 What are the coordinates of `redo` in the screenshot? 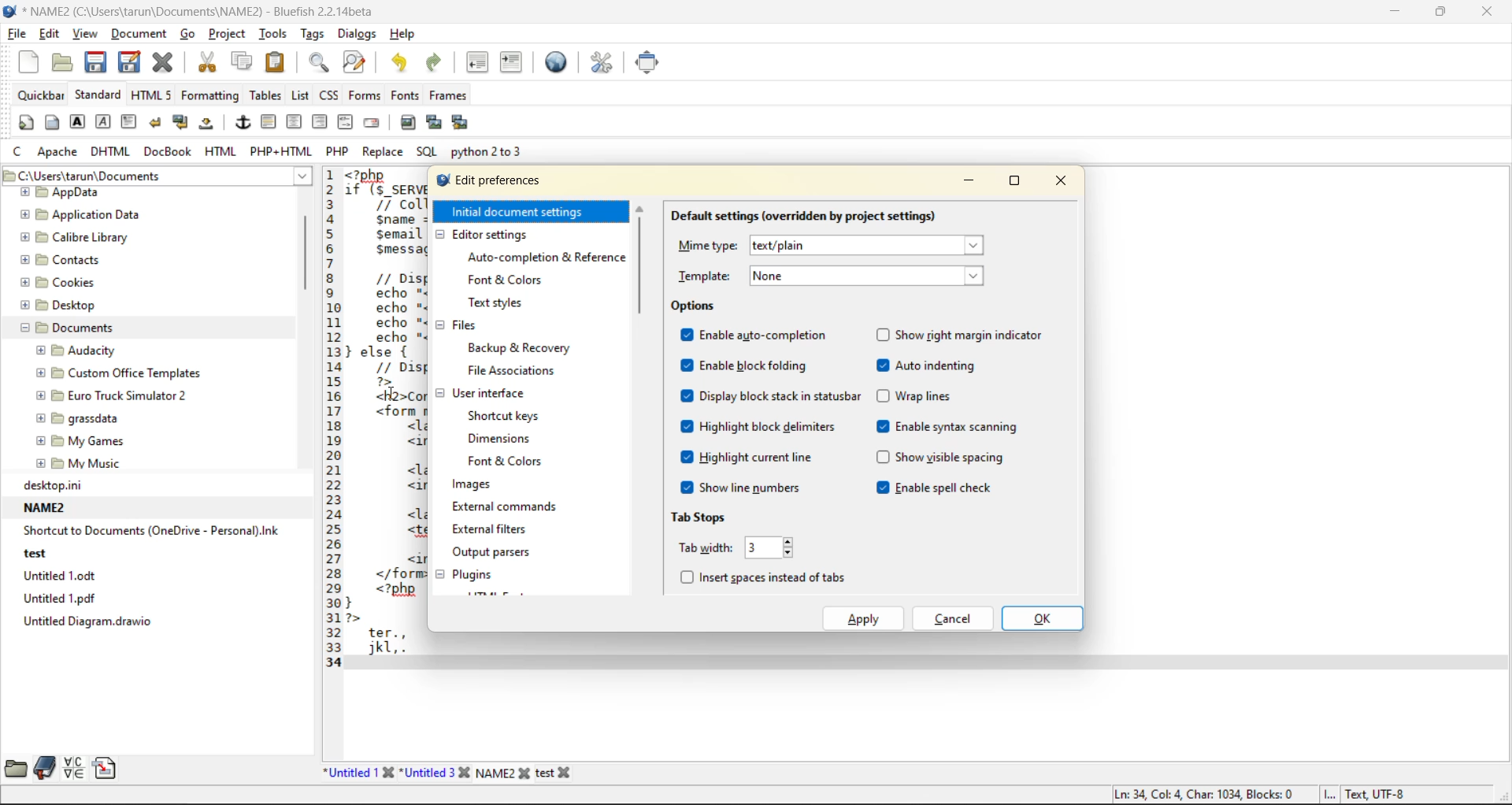 It's located at (442, 63).